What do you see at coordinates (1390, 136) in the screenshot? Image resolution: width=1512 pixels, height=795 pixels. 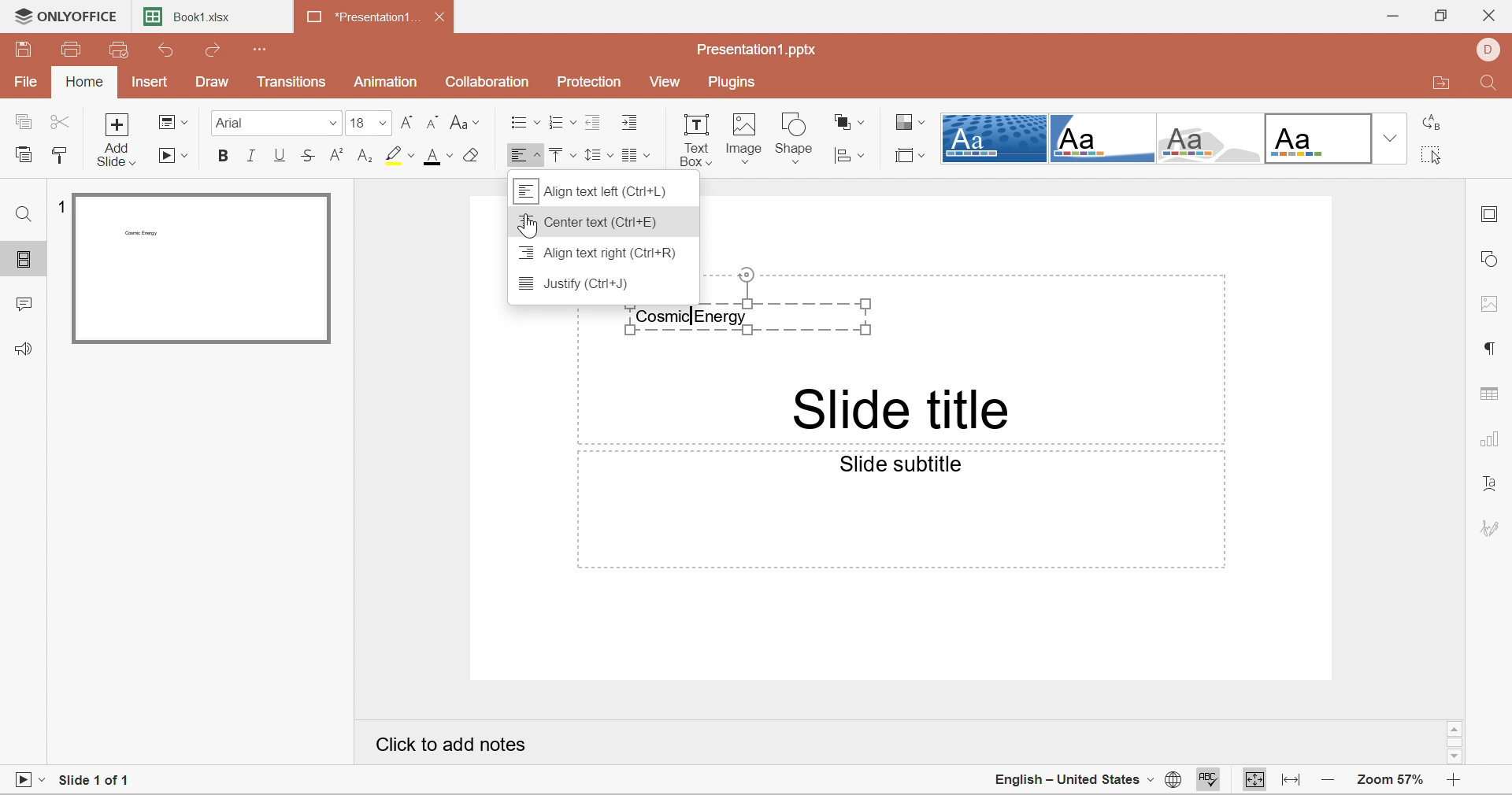 I see `Drop Down` at bounding box center [1390, 136].